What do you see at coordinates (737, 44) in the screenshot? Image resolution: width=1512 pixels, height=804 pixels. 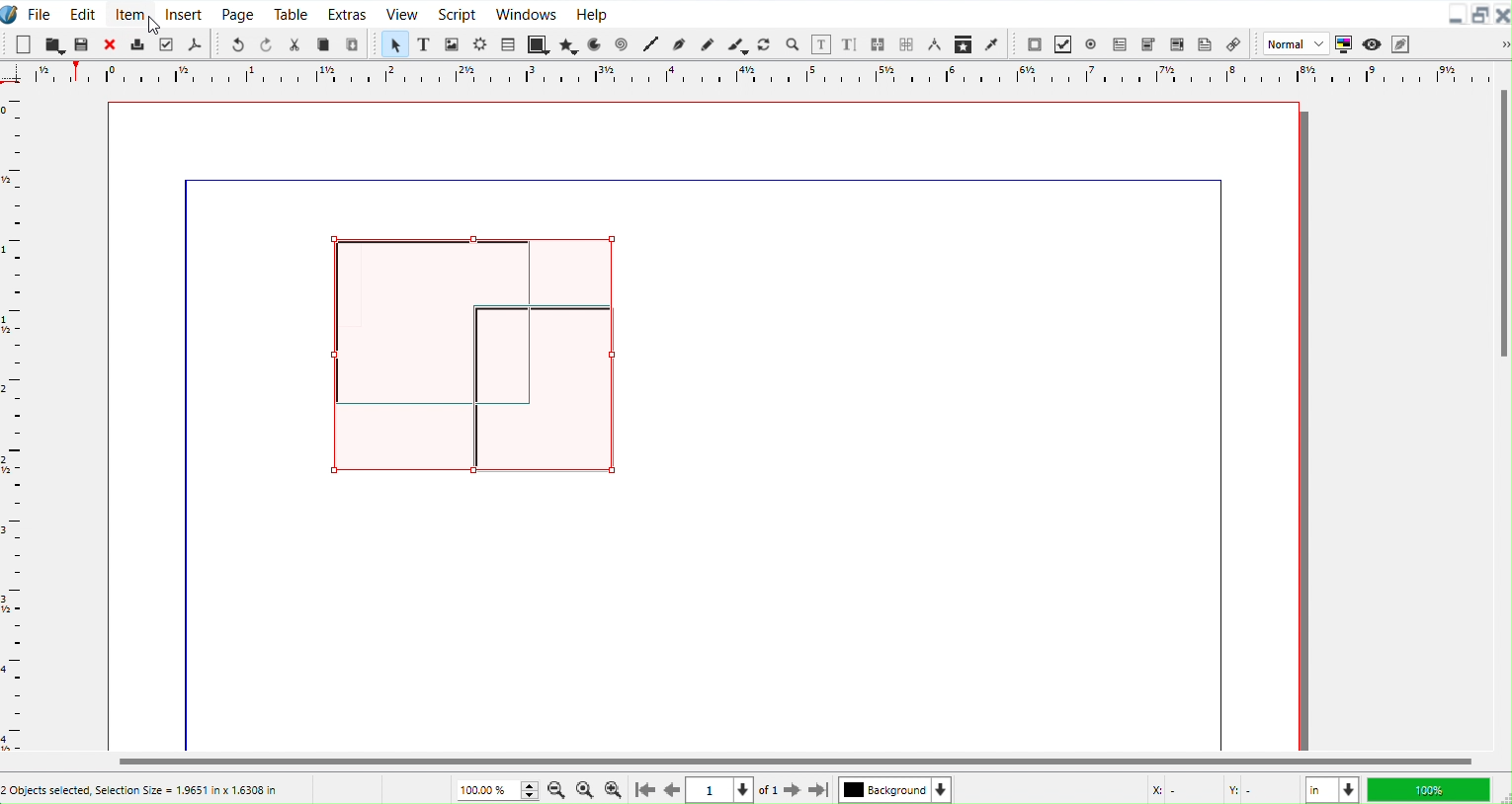 I see `Calligraphic line` at bounding box center [737, 44].